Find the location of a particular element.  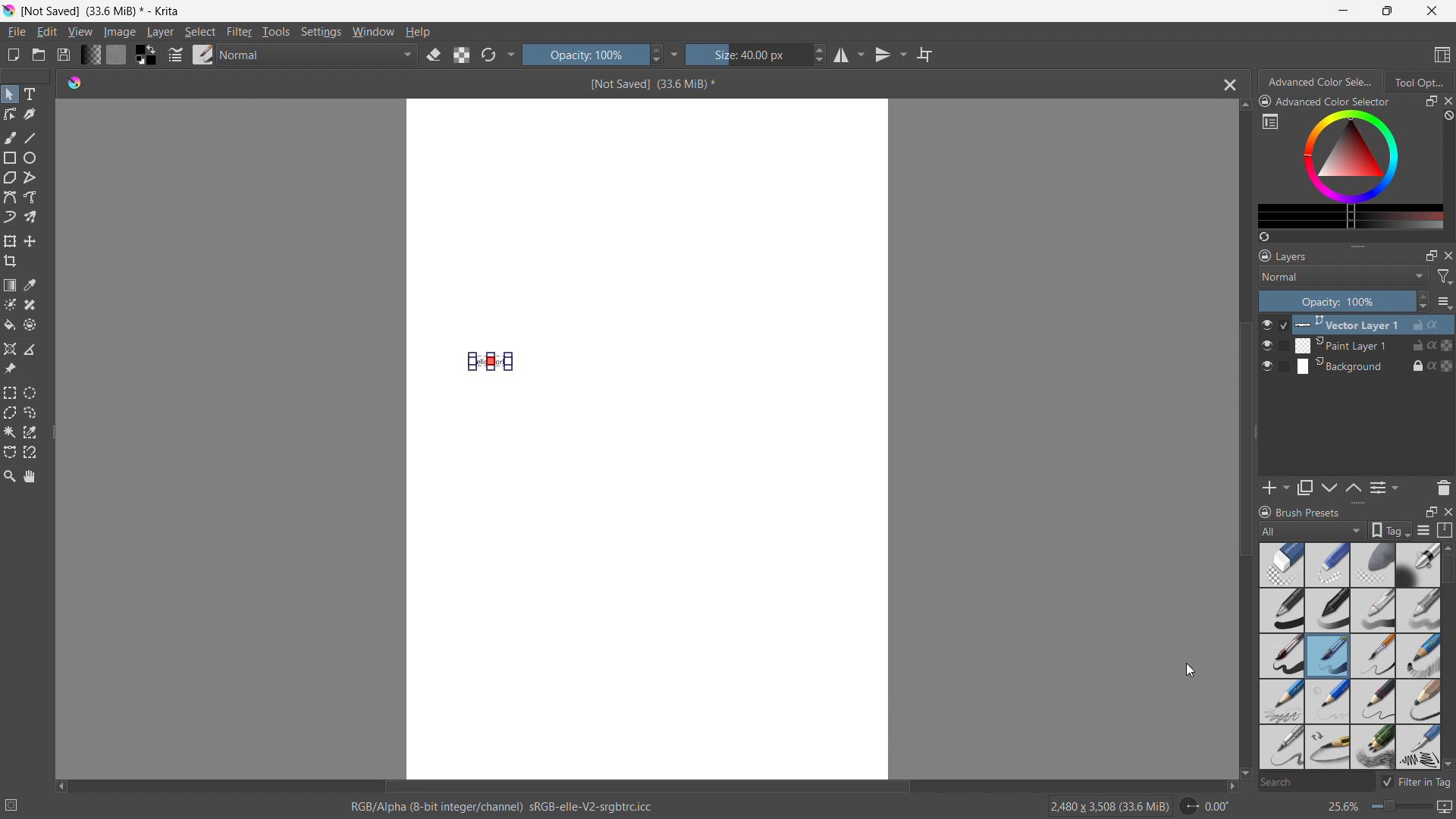

freehand selection tool is located at coordinates (30, 413).